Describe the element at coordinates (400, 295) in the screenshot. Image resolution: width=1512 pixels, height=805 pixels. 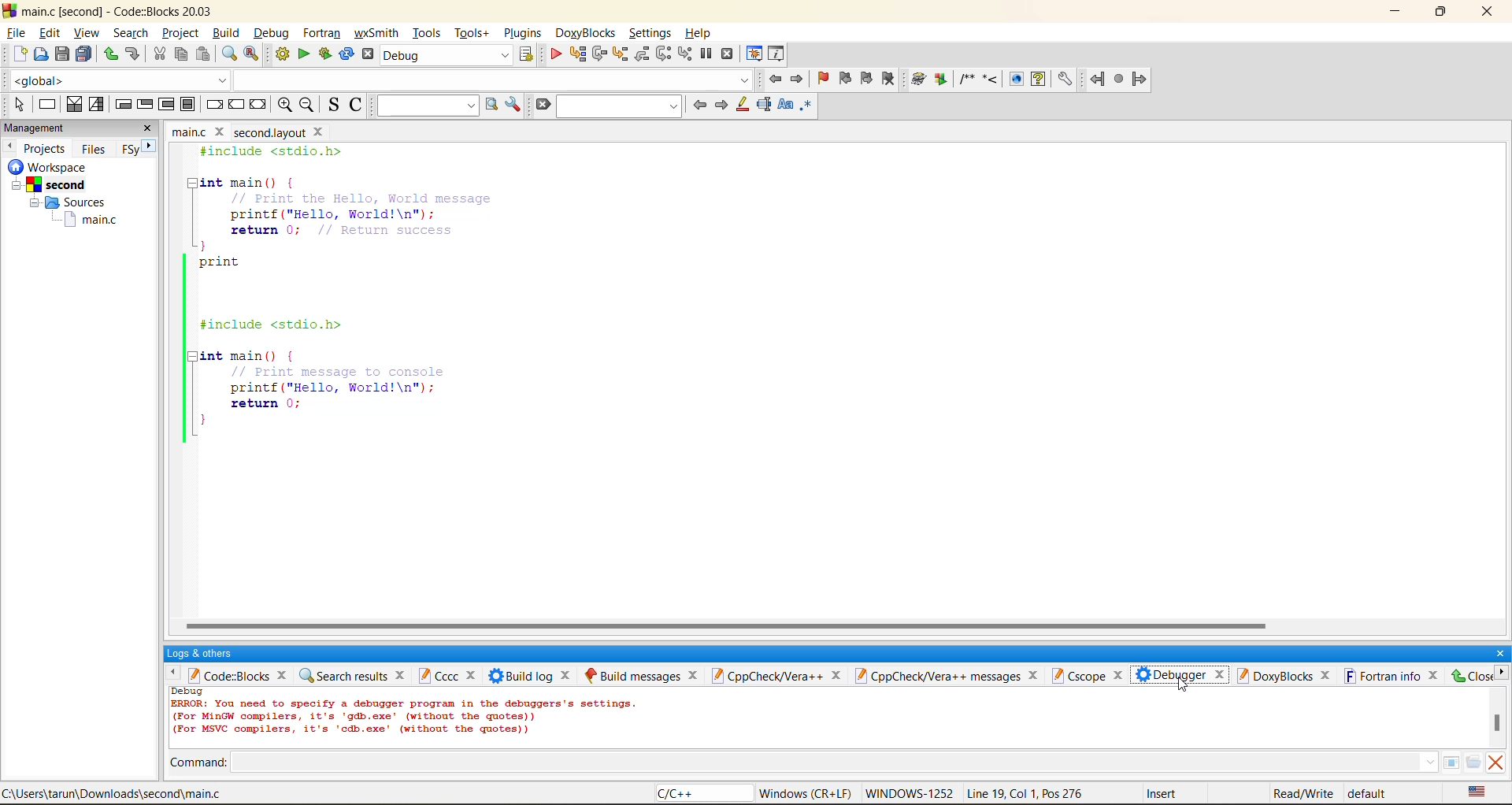
I see `code editor` at that location.